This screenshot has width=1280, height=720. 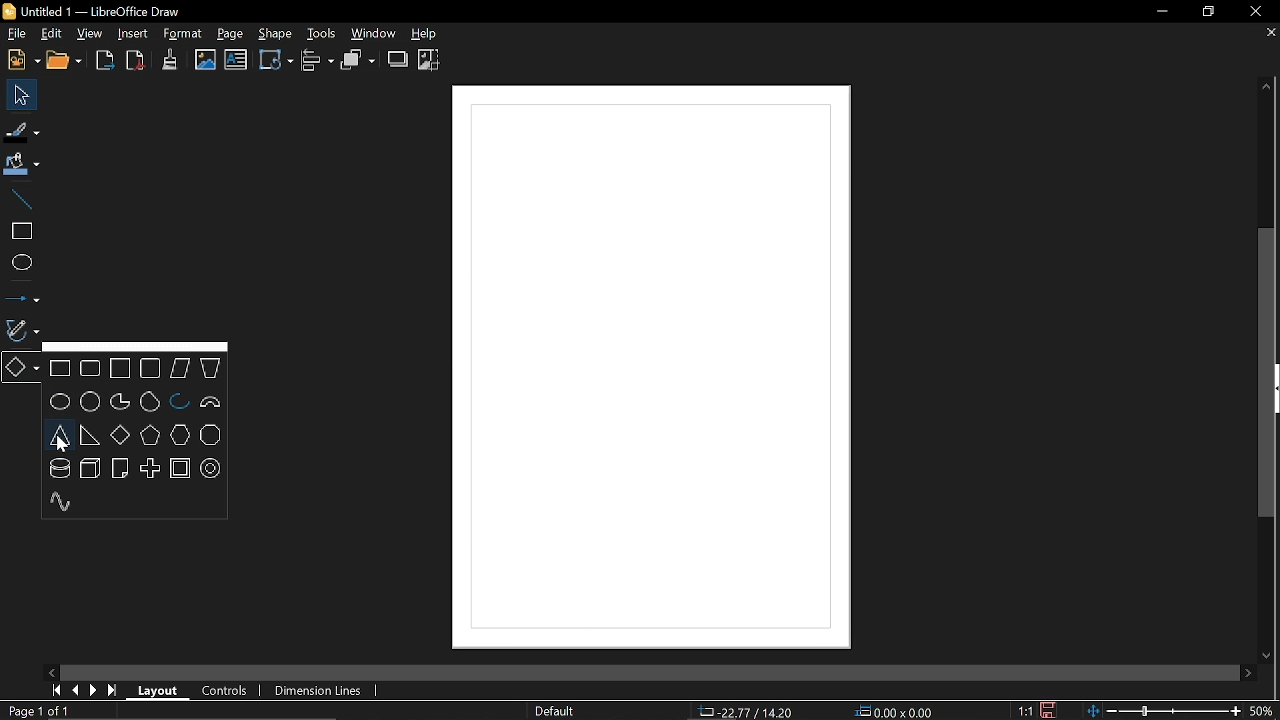 I want to click on Move lfeft, so click(x=53, y=671).